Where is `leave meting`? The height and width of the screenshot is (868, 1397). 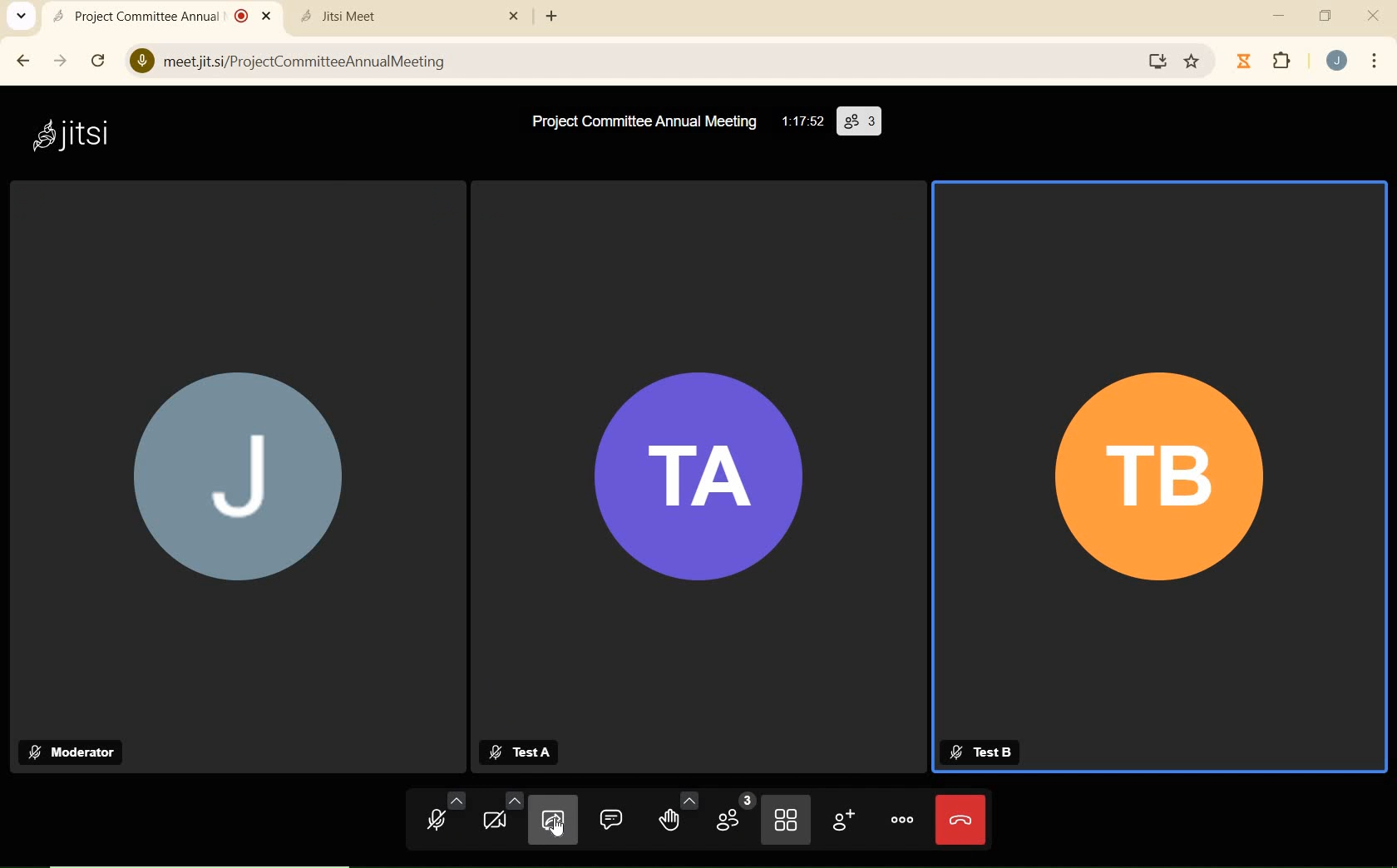
leave meting is located at coordinates (960, 820).